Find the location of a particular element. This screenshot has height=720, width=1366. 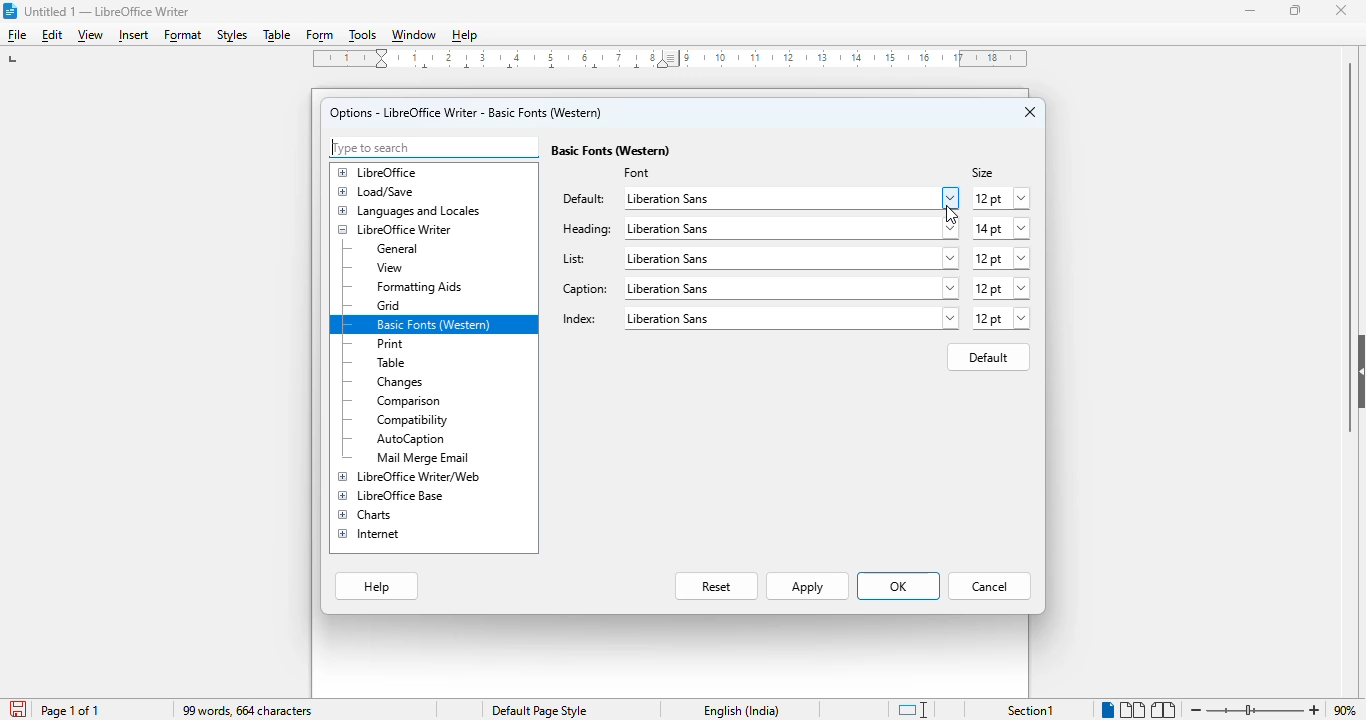

1 is located at coordinates (341, 58).